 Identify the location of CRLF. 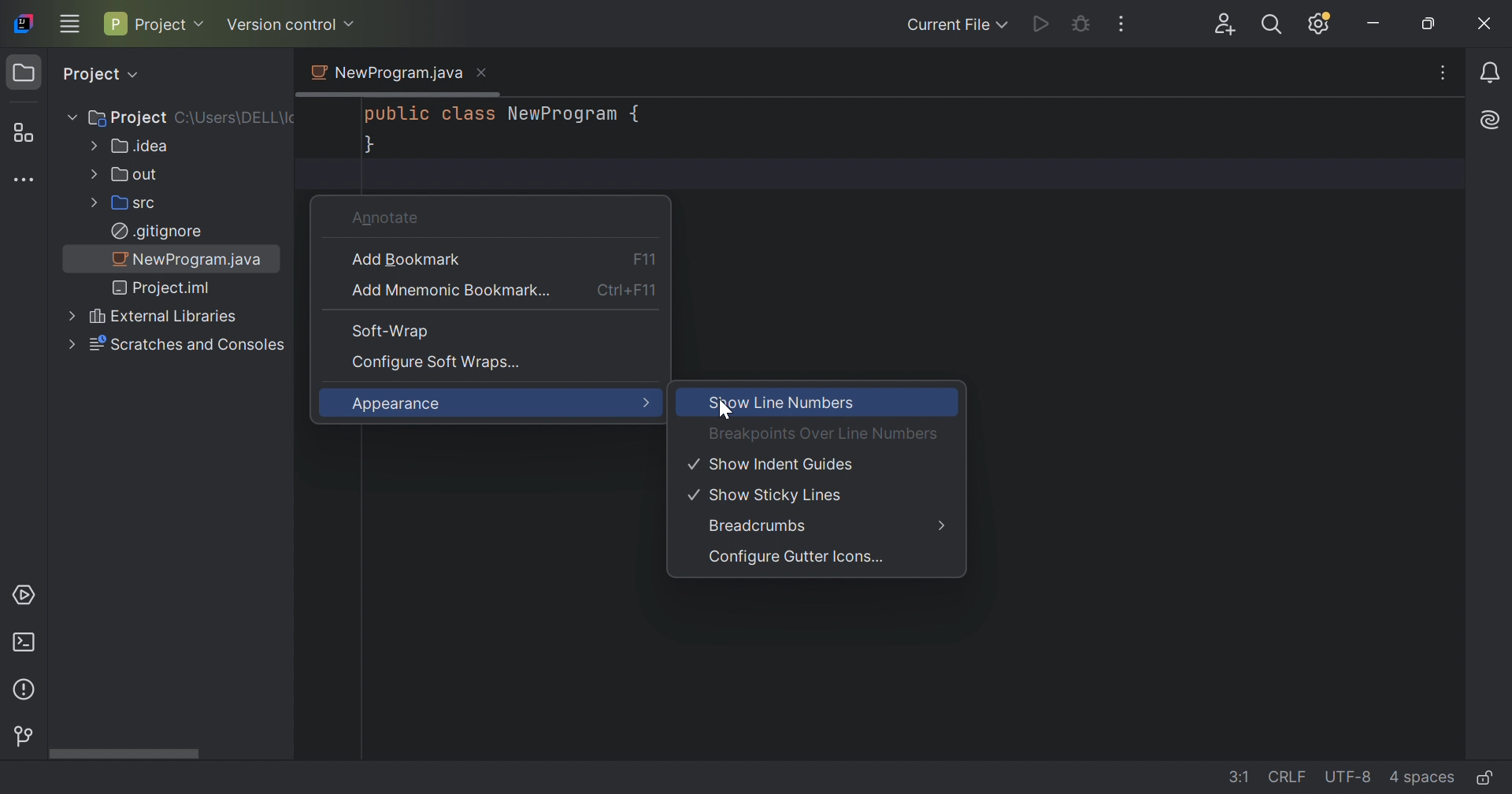
(1281, 775).